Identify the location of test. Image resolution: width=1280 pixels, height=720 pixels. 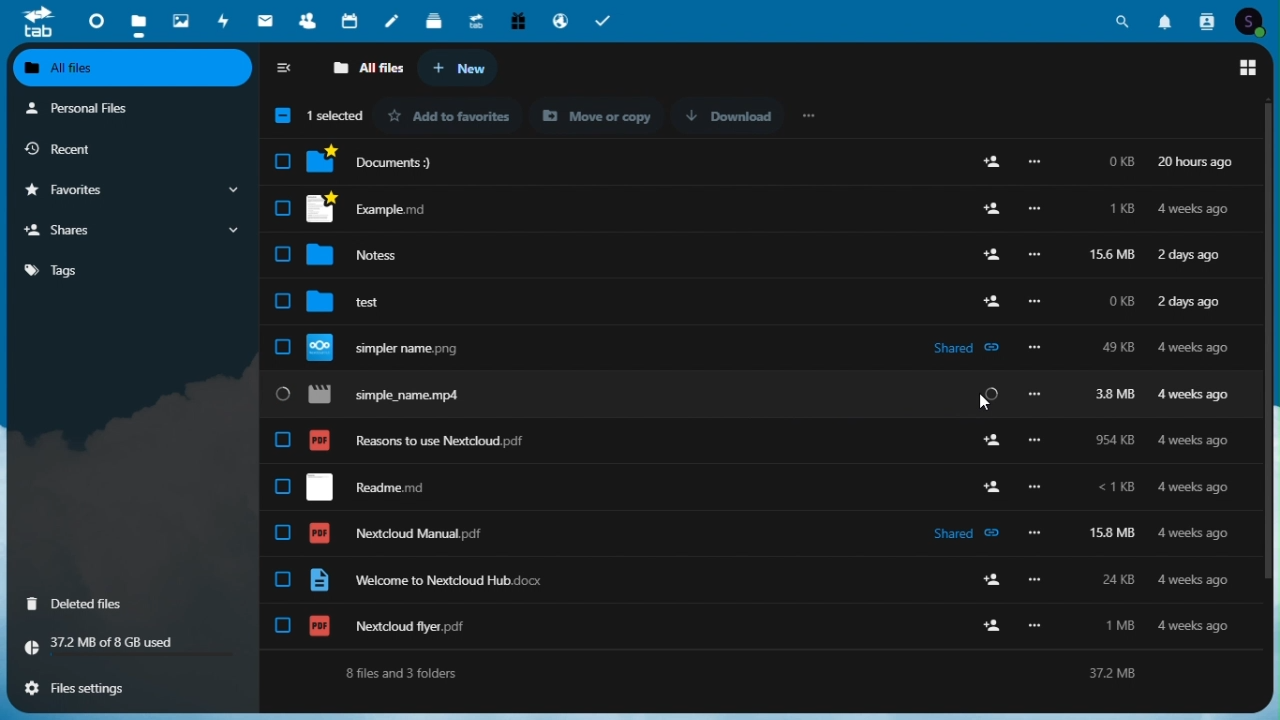
(760, 300).